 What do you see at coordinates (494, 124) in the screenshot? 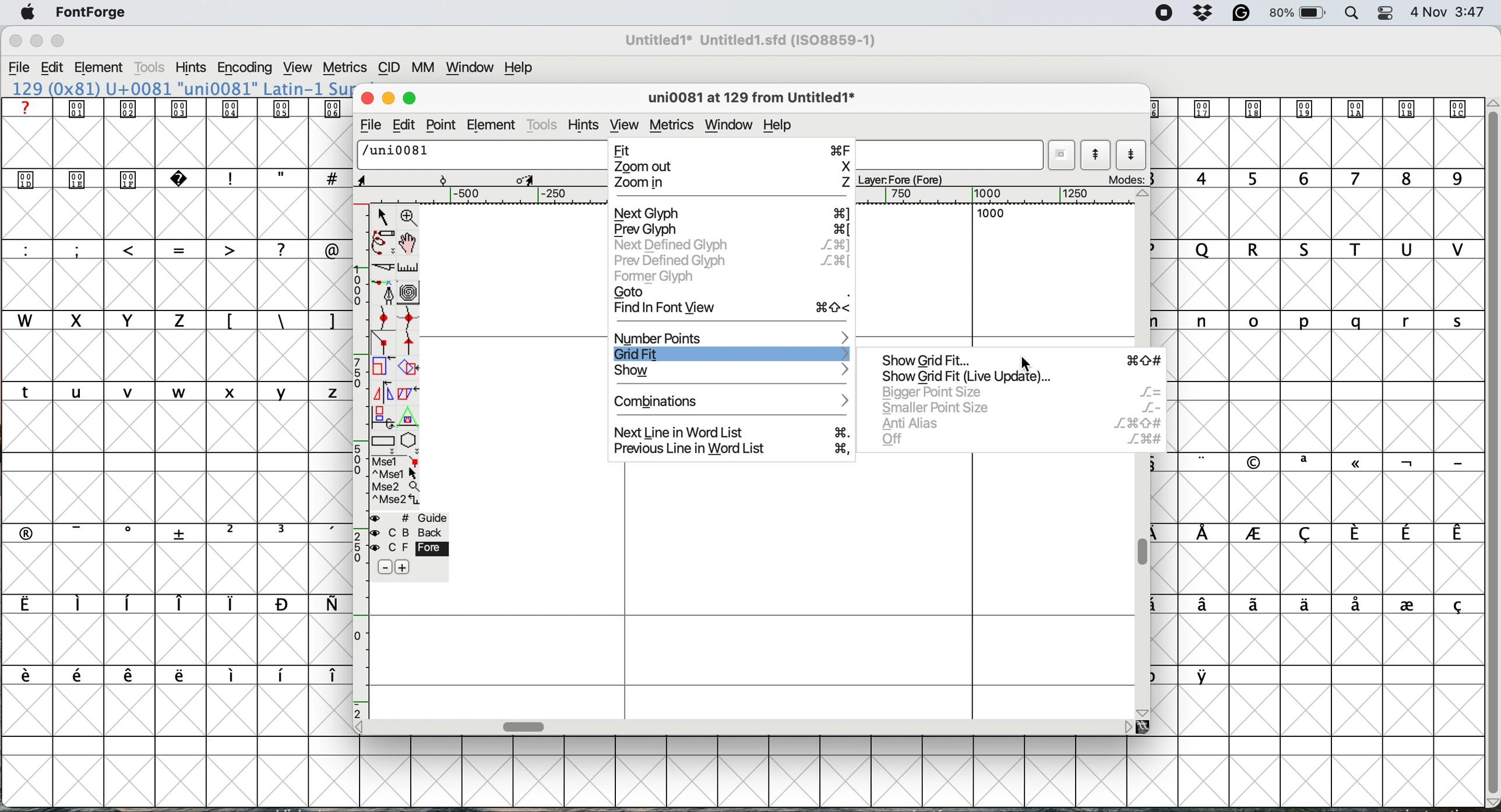
I see `element` at bounding box center [494, 124].